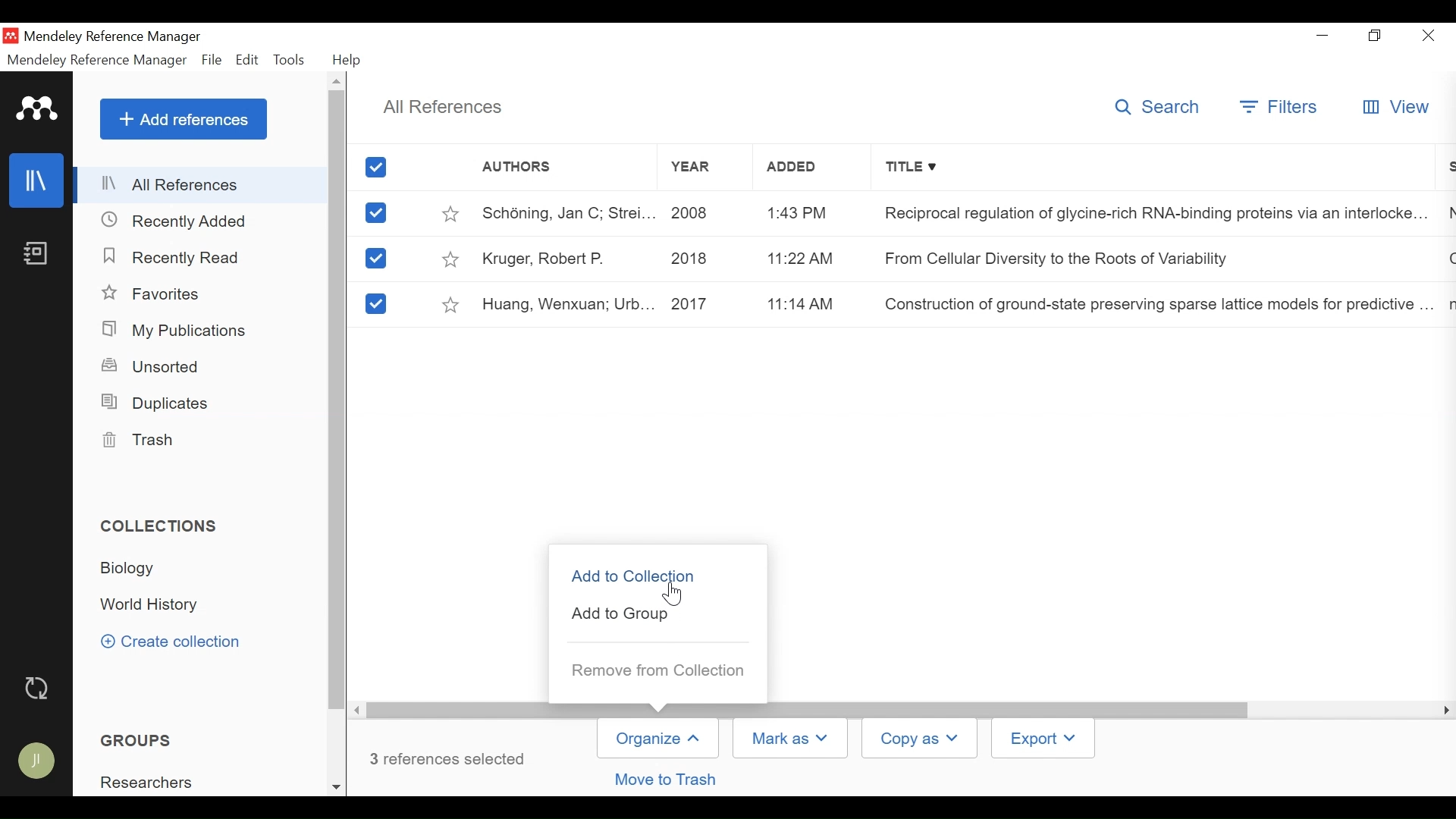  I want to click on 2017, so click(704, 303).